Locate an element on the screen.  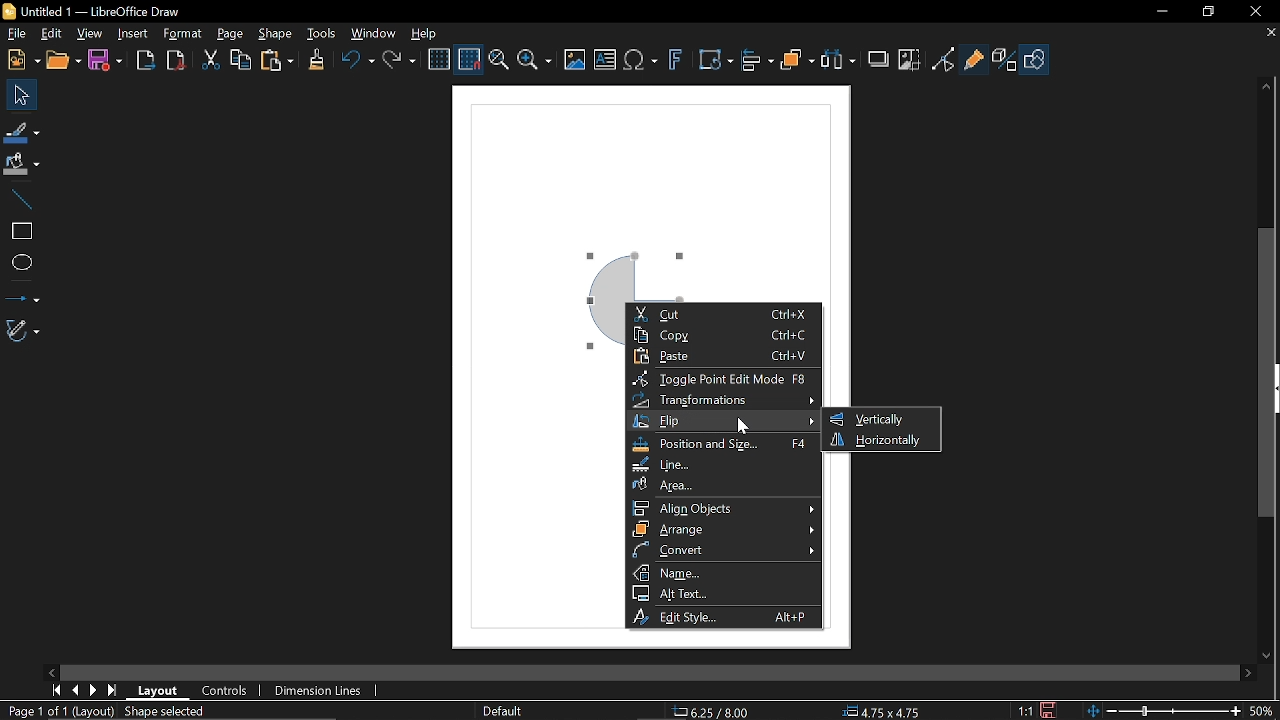
Fill color is located at coordinates (22, 166).